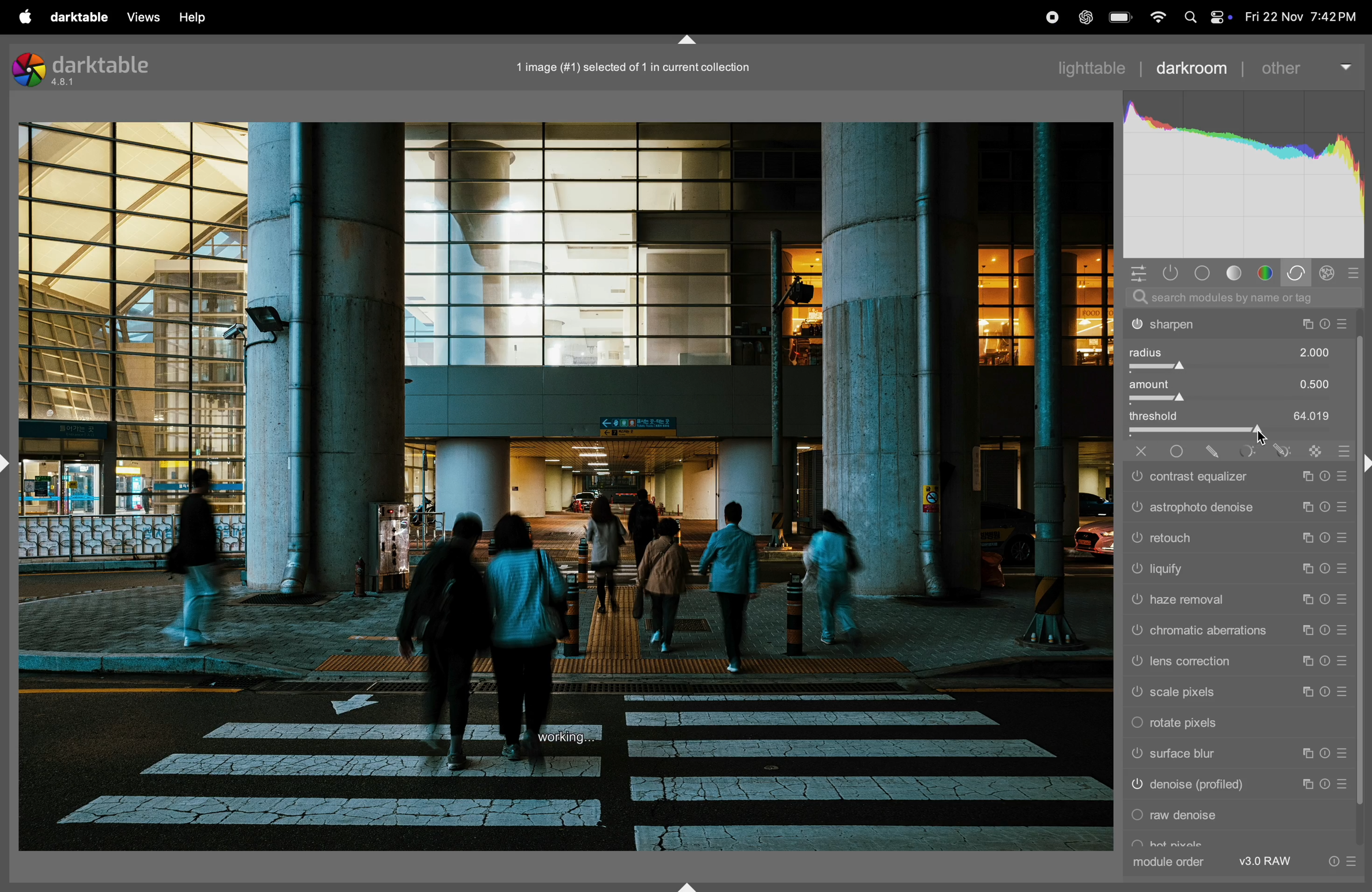 This screenshot has width=1372, height=892. Describe the element at coordinates (1239, 420) in the screenshot. I see `threshold 64.019` at that location.